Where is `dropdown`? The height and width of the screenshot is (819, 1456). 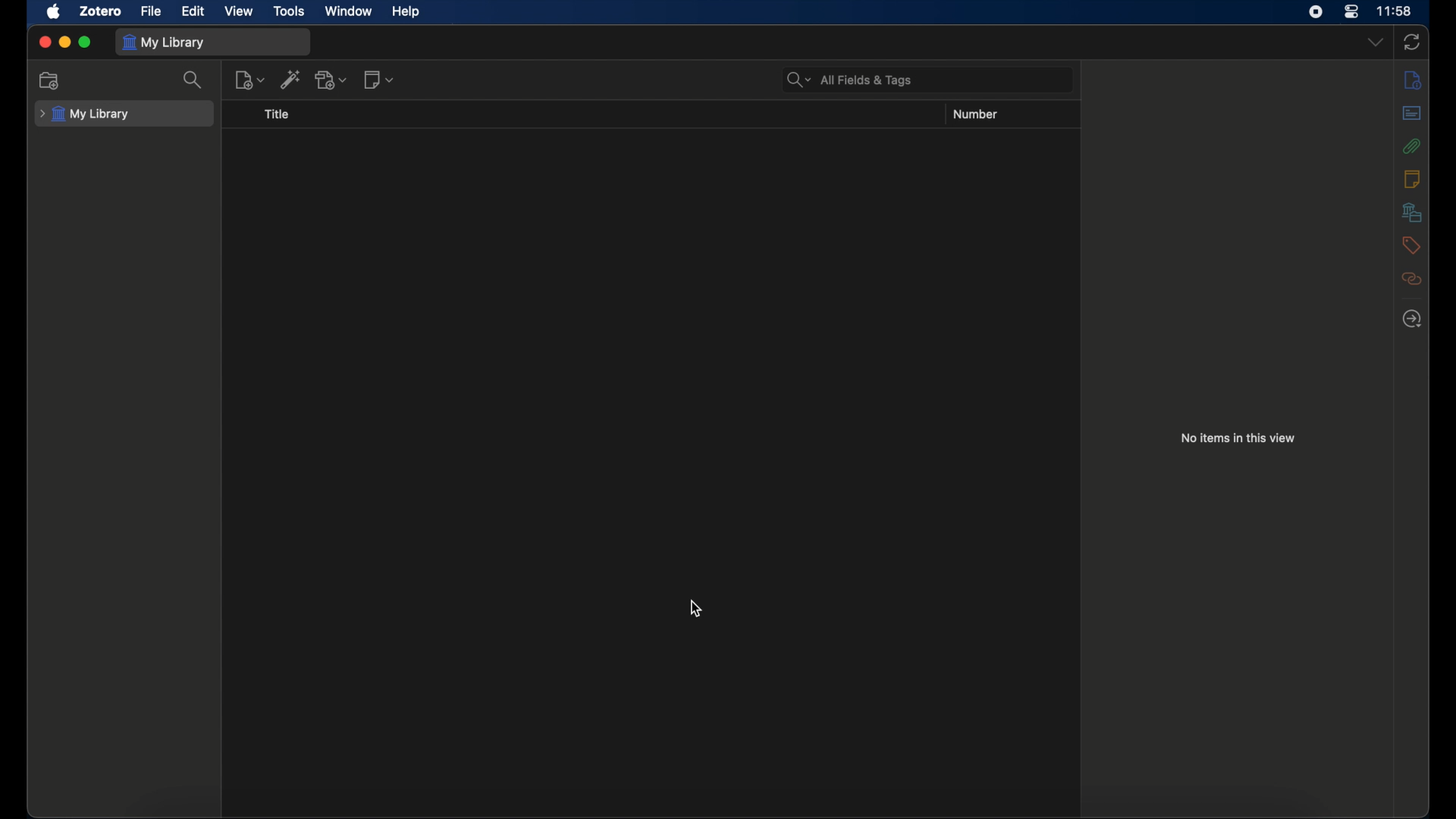 dropdown is located at coordinates (1376, 42).